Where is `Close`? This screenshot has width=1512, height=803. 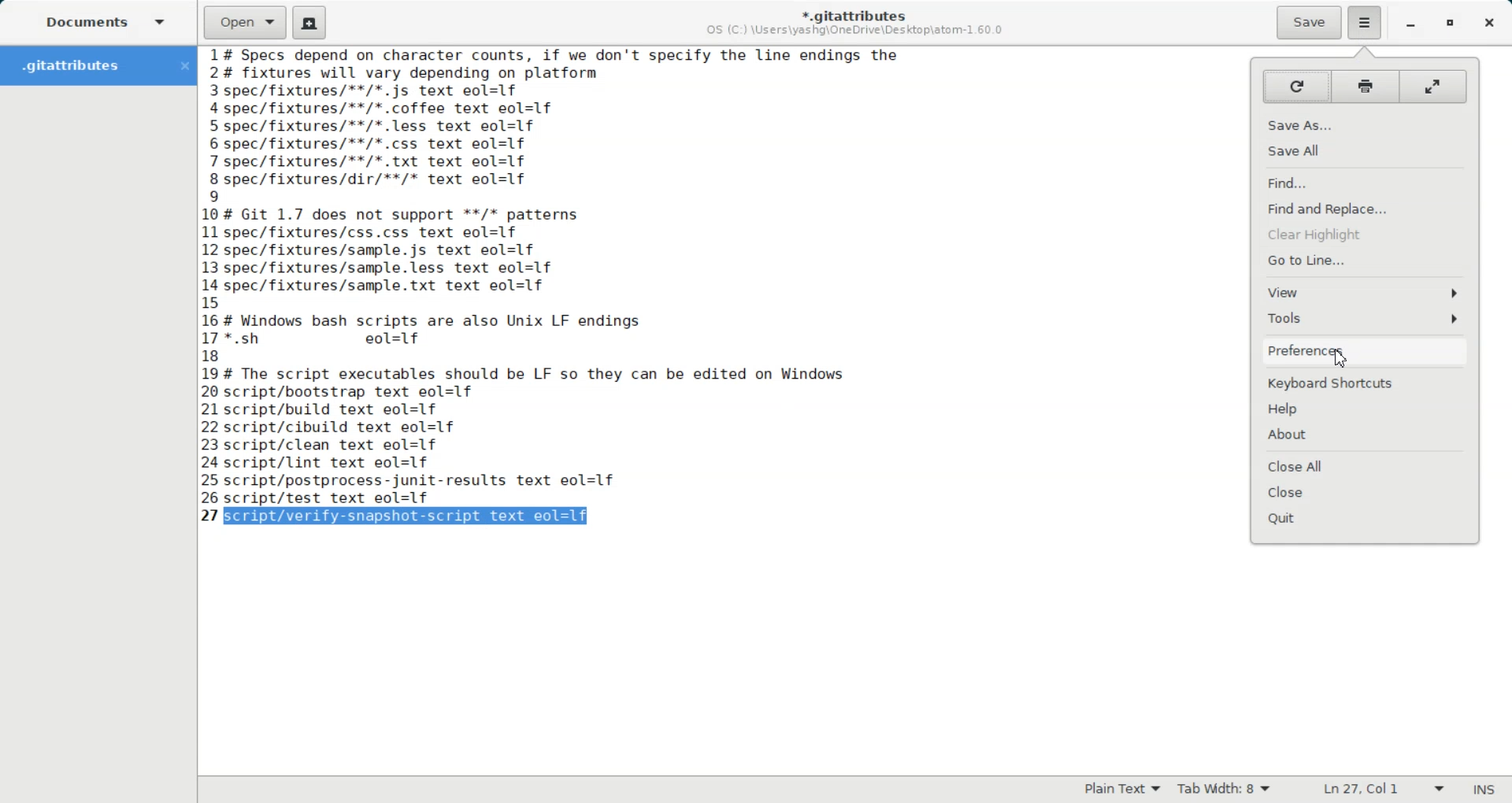
Close is located at coordinates (1366, 494).